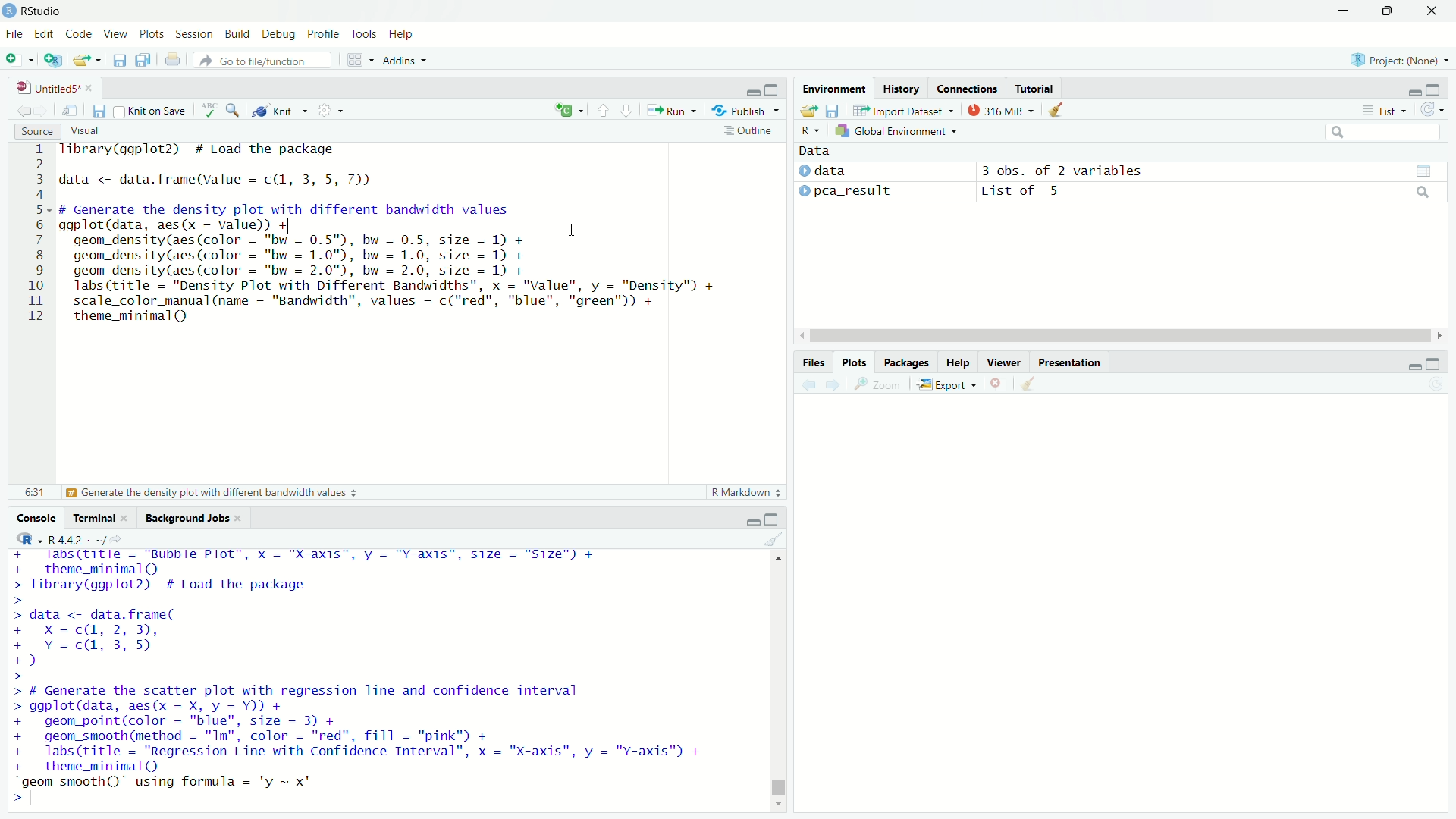 The height and width of the screenshot is (819, 1456). What do you see at coordinates (1436, 384) in the screenshot?
I see `Refresh current plot` at bounding box center [1436, 384].